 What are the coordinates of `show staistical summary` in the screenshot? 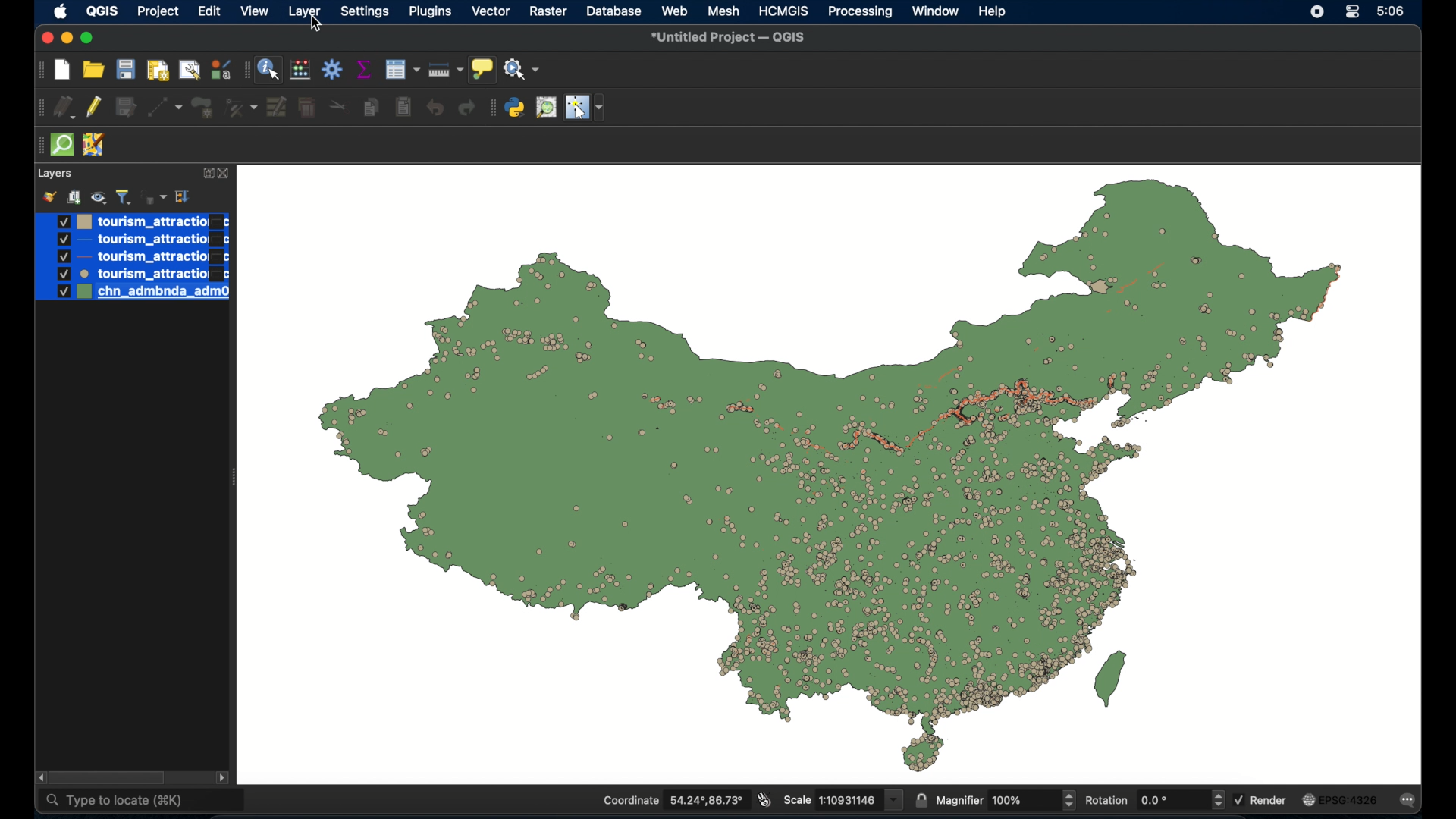 It's located at (364, 69).